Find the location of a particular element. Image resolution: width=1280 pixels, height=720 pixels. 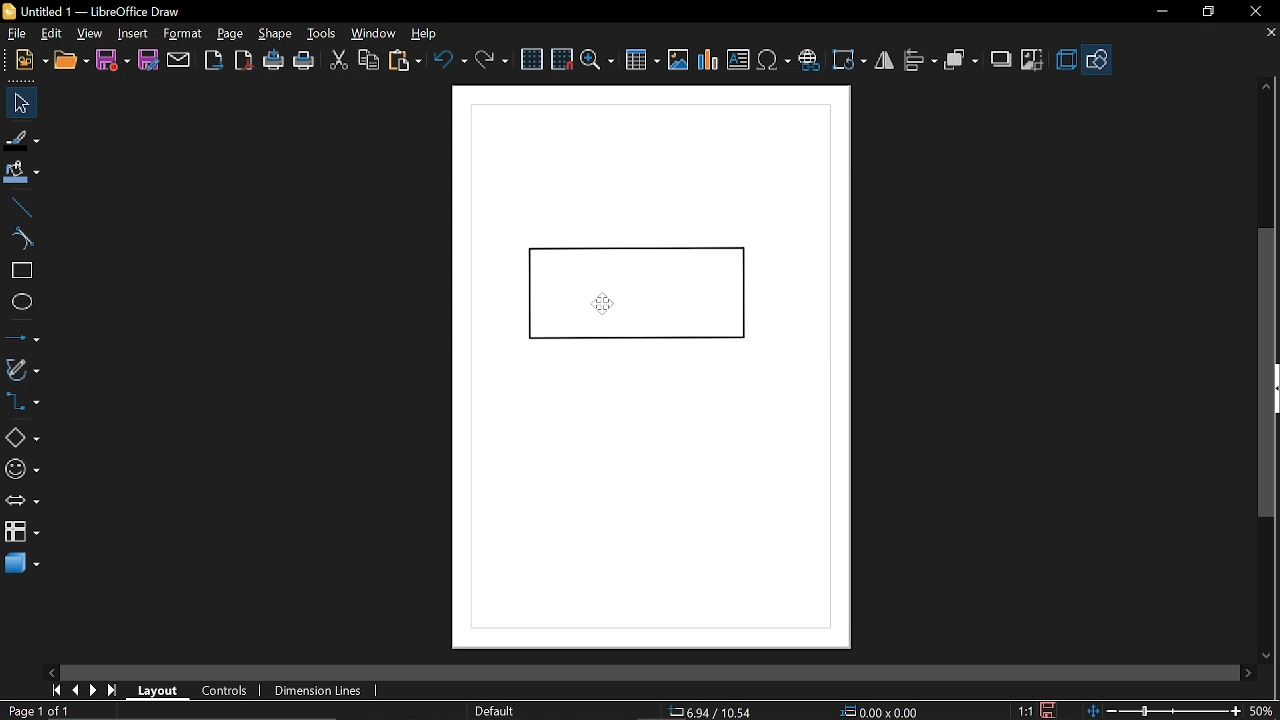

vertical scrollbar is located at coordinates (1266, 372).